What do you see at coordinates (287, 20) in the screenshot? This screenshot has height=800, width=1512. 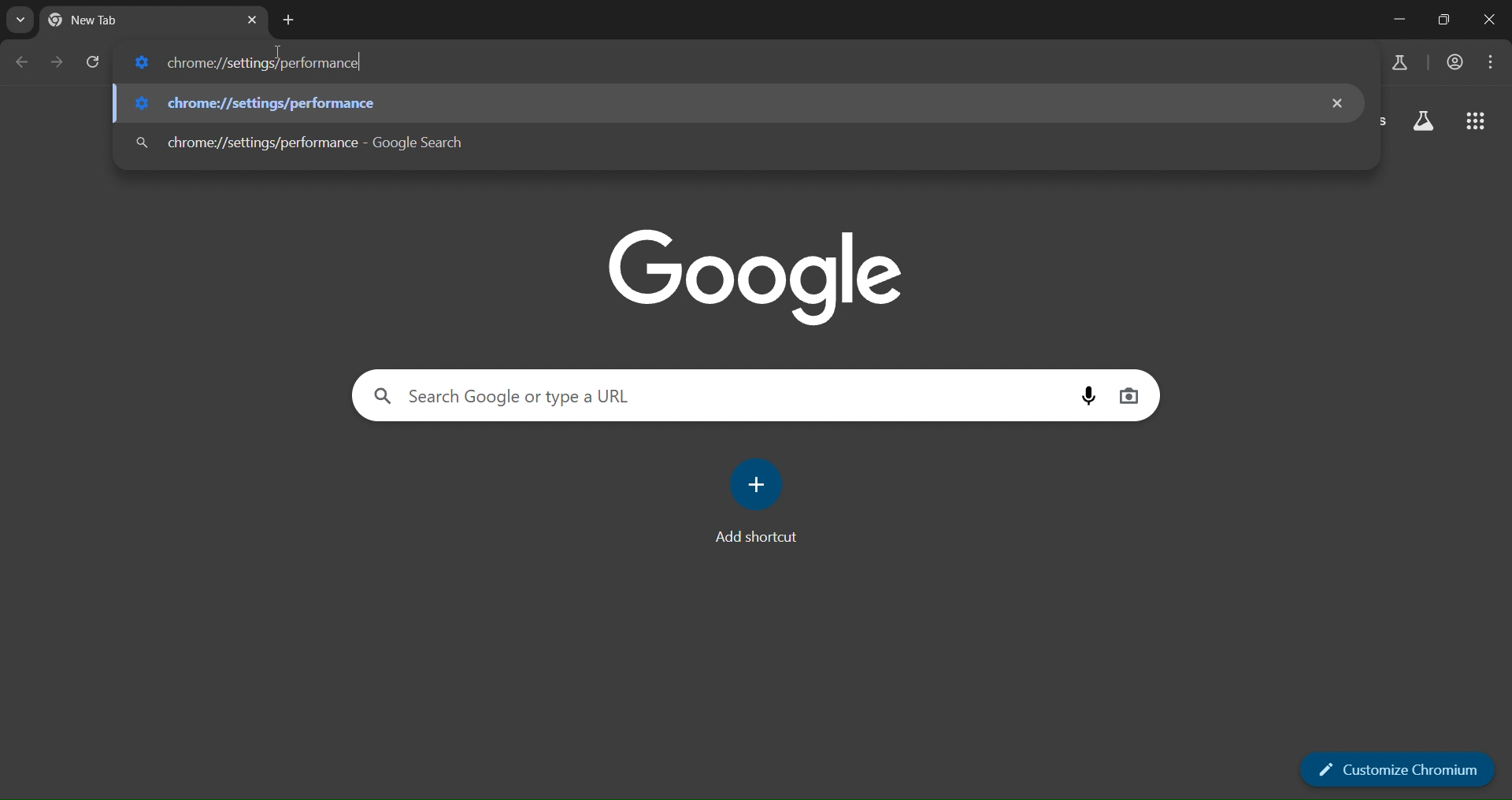 I see `new tab` at bounding box center [287, 20].